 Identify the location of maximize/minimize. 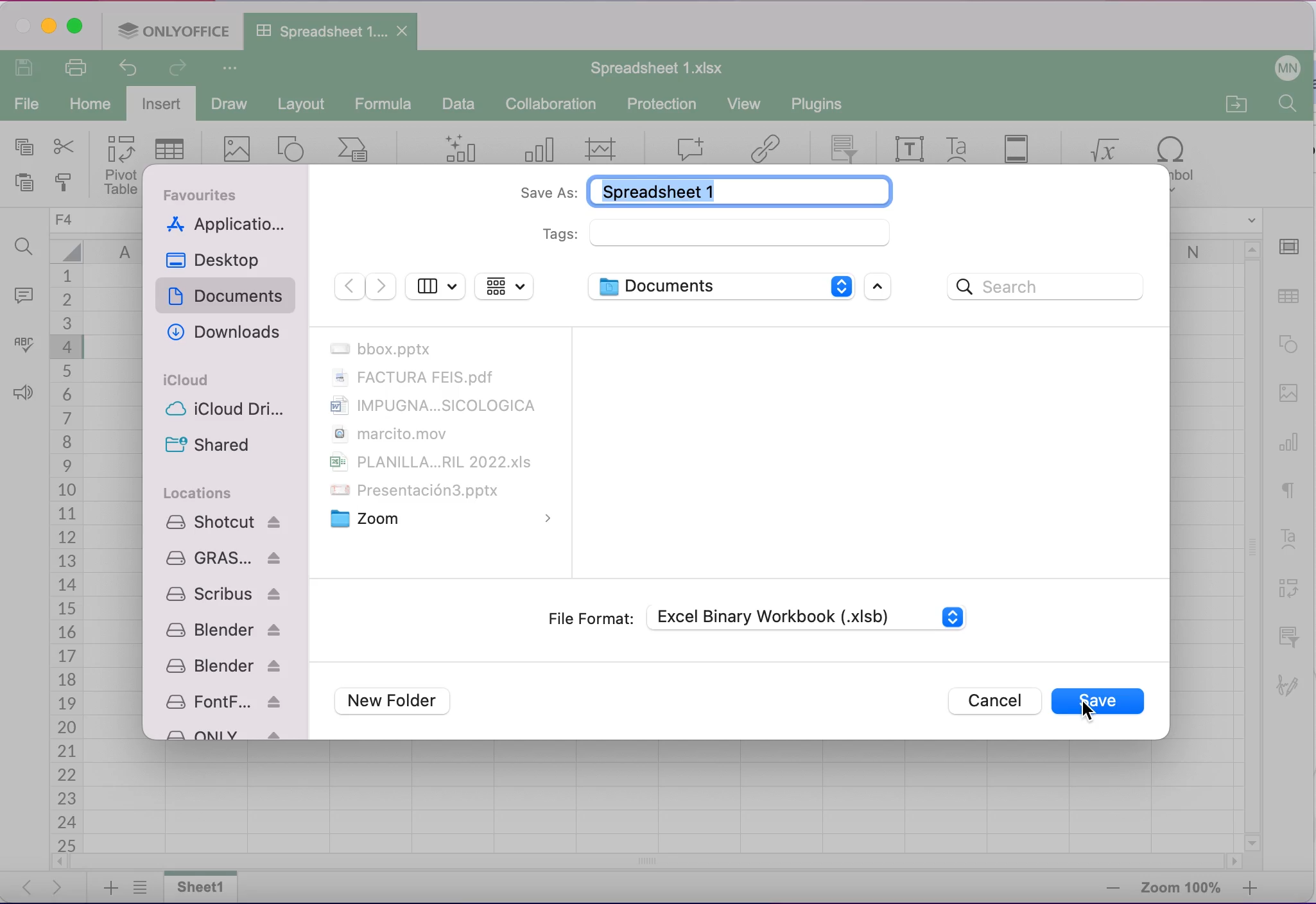
(883, 288).